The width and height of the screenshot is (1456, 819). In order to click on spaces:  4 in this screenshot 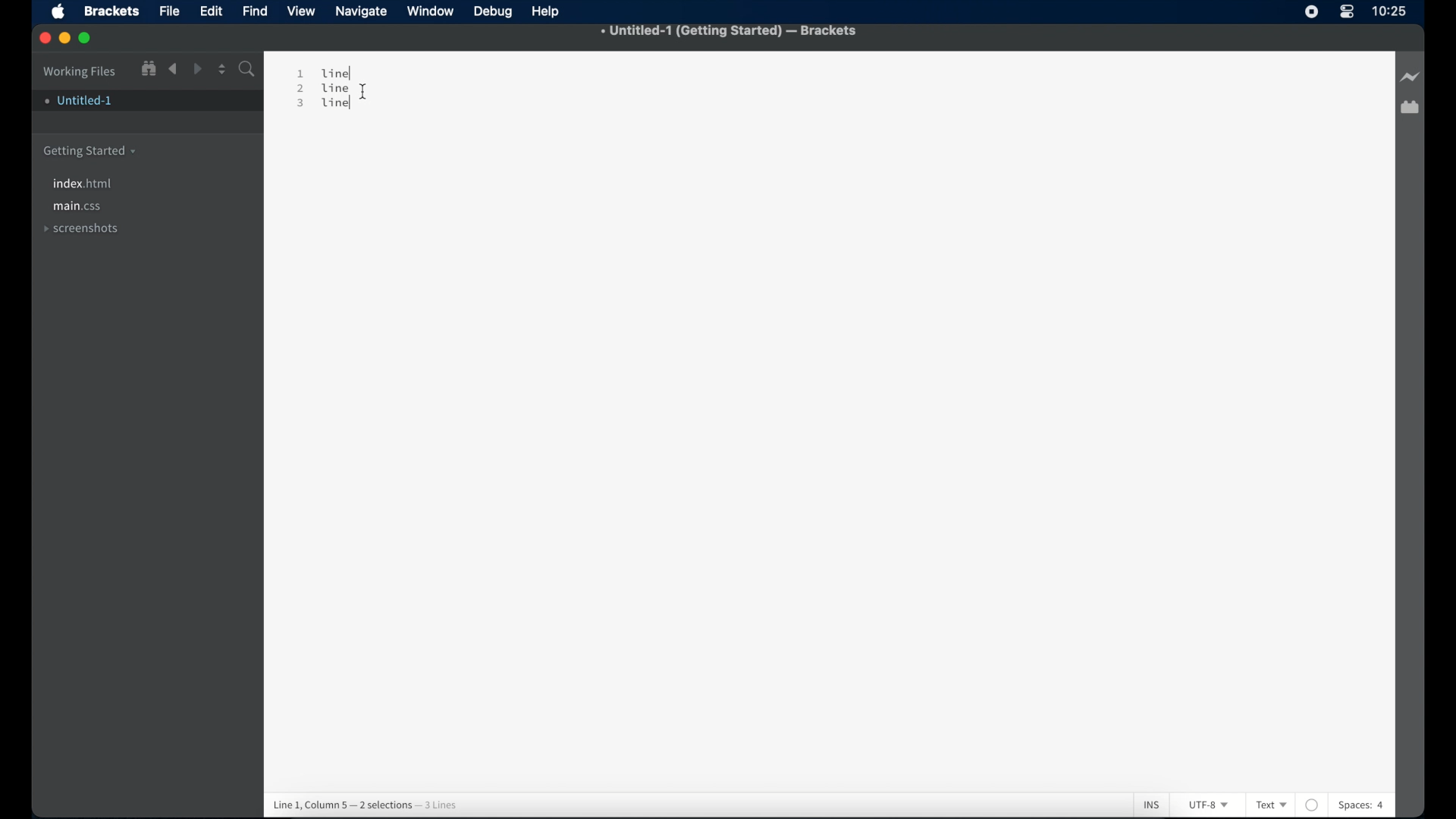, I will do `click(1385, 805)`.